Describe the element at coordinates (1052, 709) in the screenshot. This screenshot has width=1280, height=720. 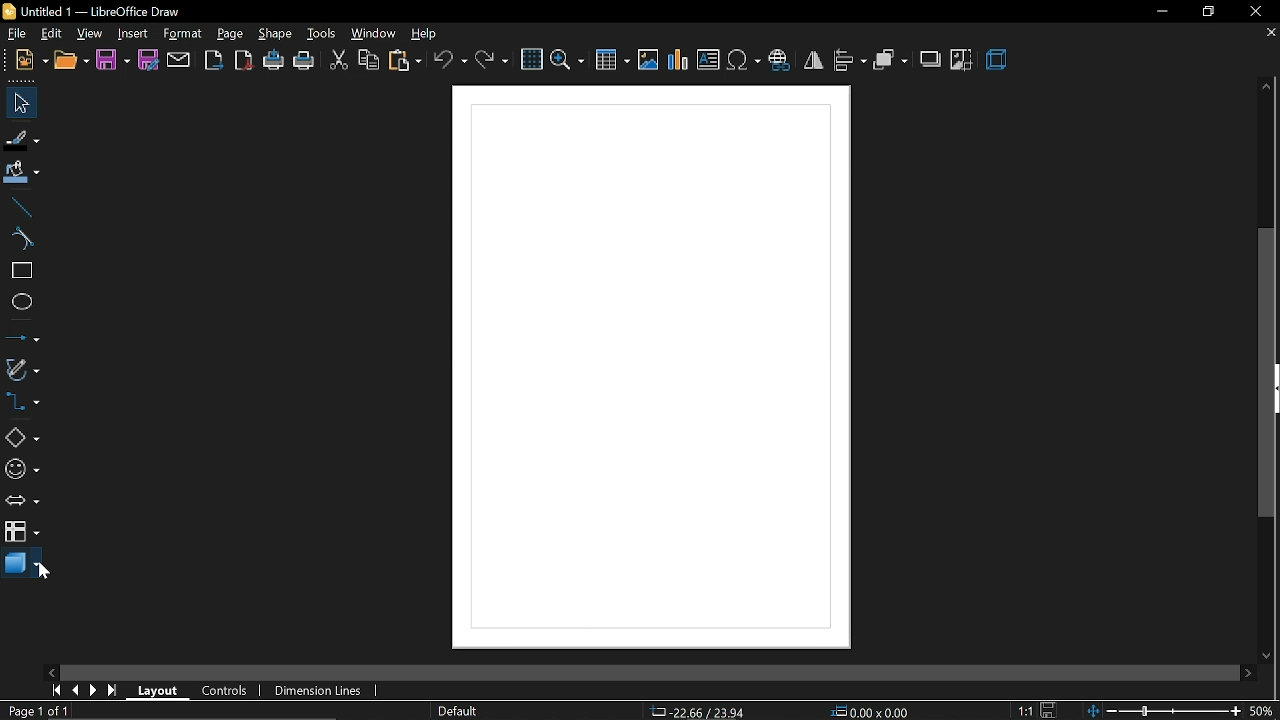
I see `save` at that location.